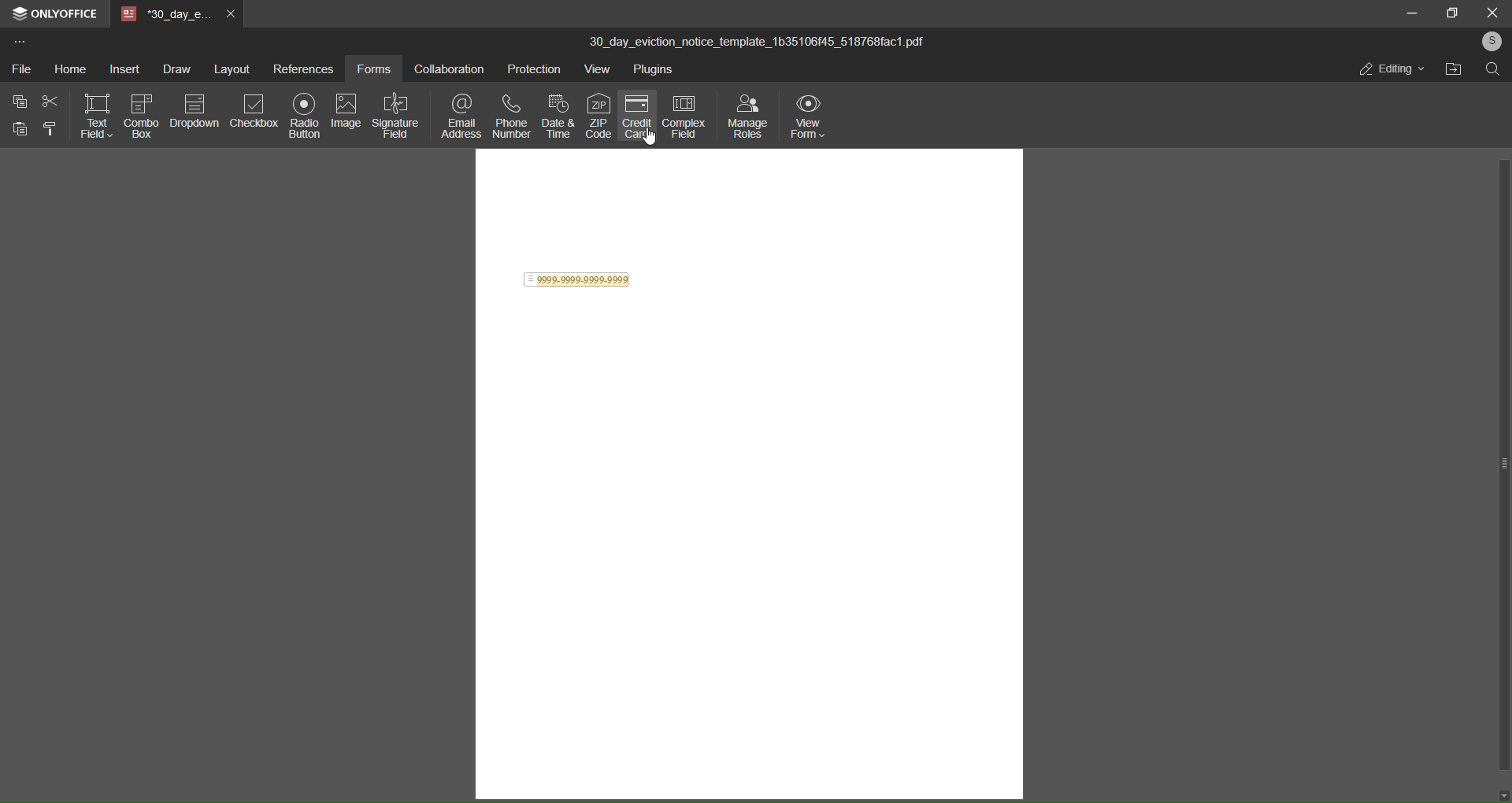 Image resolution: width=1512 pixels, height=803 pixels. I want to click on image, so click(346, 109).